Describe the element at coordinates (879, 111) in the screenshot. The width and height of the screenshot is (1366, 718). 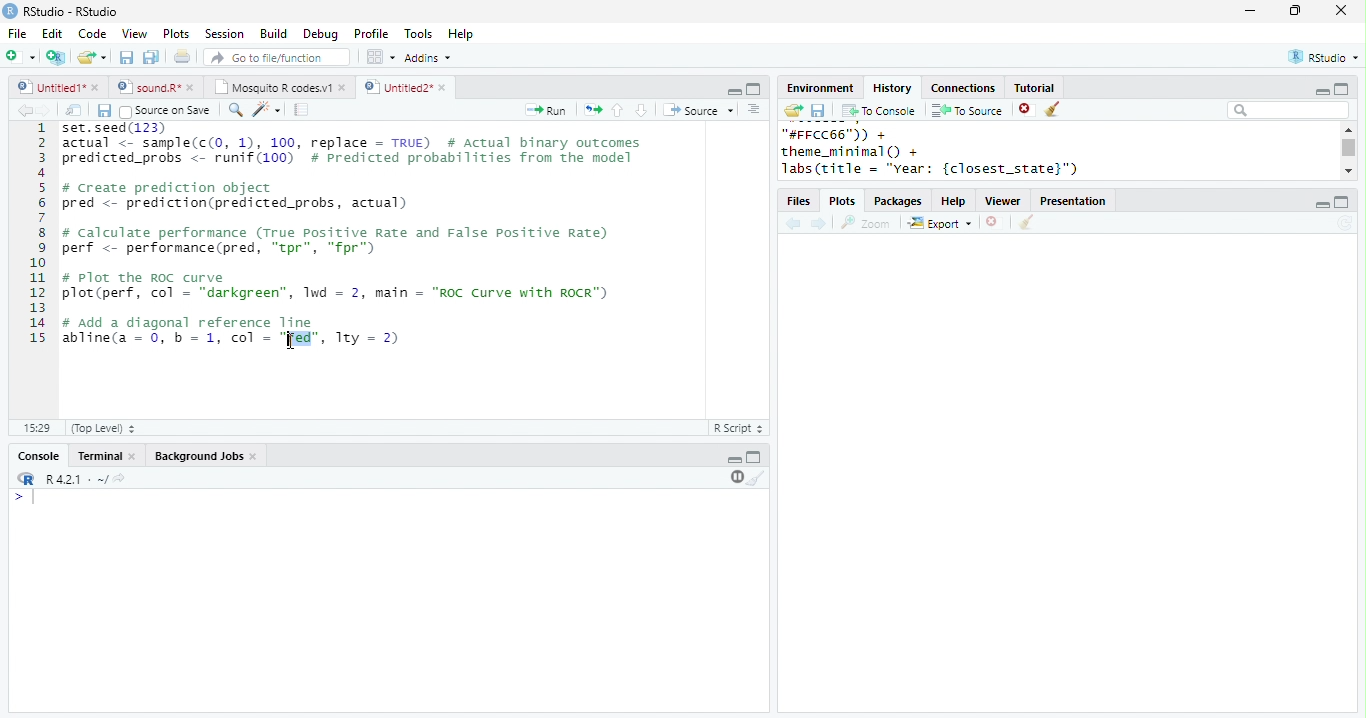
I see `To console` at that location.